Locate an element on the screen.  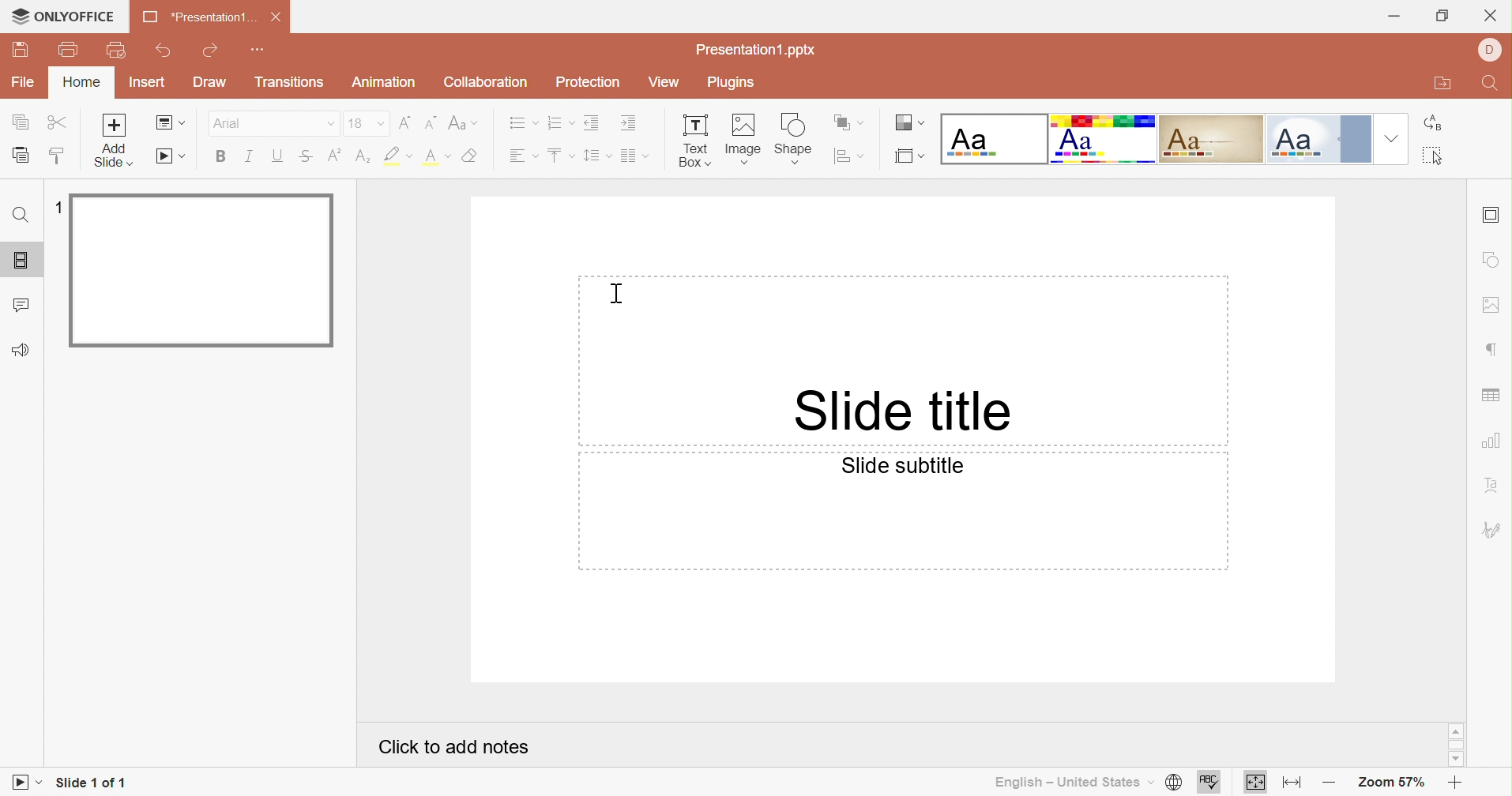
English - United States is located at coordinates (1066, 780).